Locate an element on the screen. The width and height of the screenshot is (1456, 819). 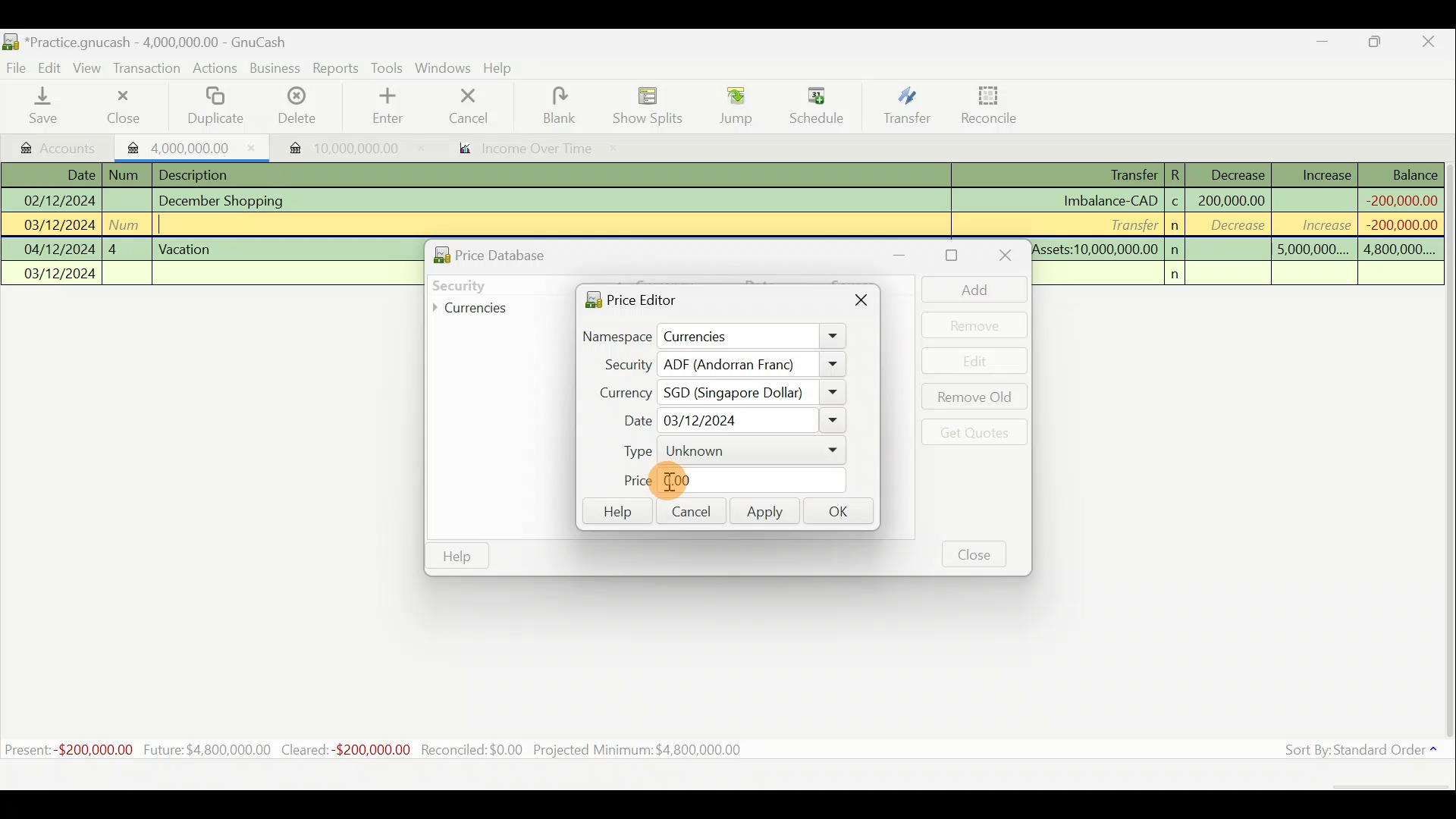
enter is located at coordinates (393, 107).